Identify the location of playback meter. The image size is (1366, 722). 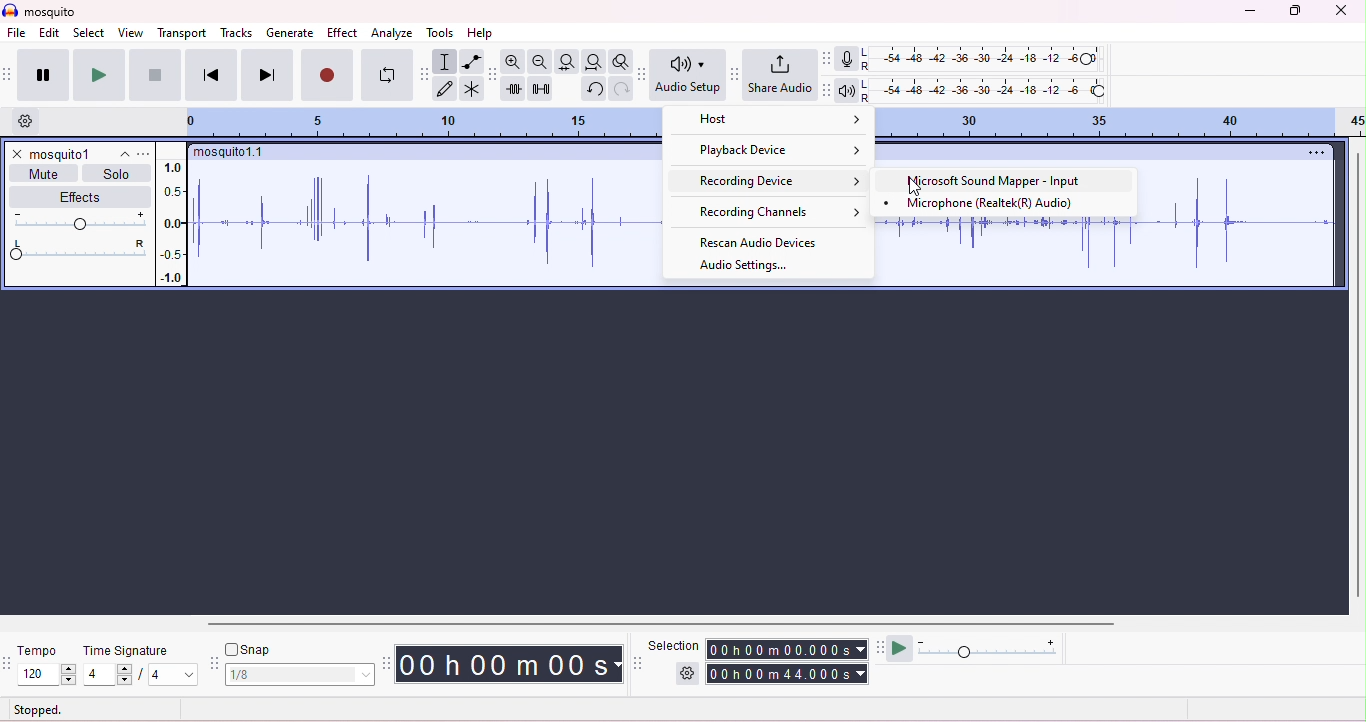
(846, 92).